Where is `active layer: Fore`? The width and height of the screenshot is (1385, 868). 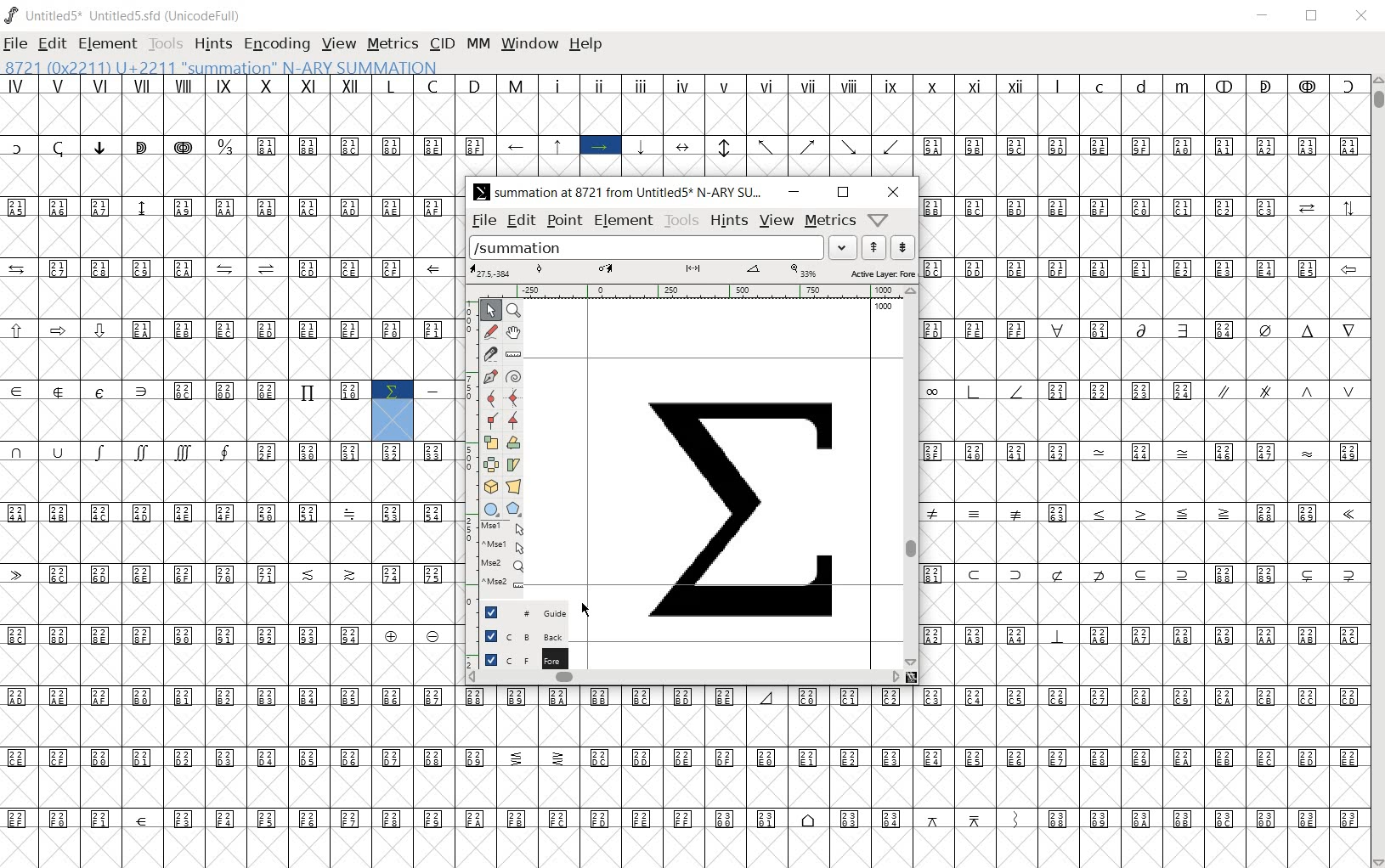
active layer: Fore is located at coordinates (692, 272).